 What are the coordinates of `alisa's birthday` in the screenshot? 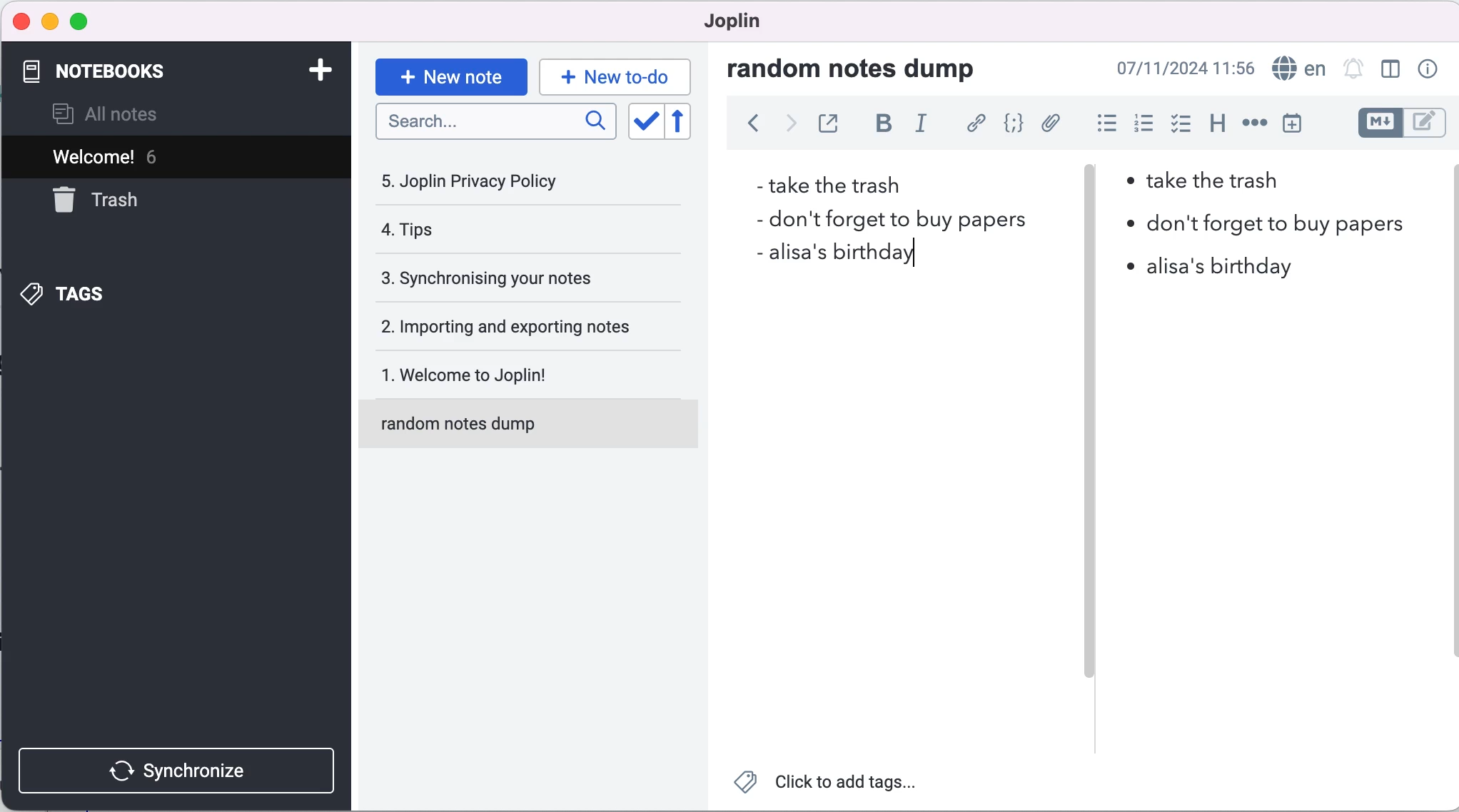 It's located at (1206, 267).